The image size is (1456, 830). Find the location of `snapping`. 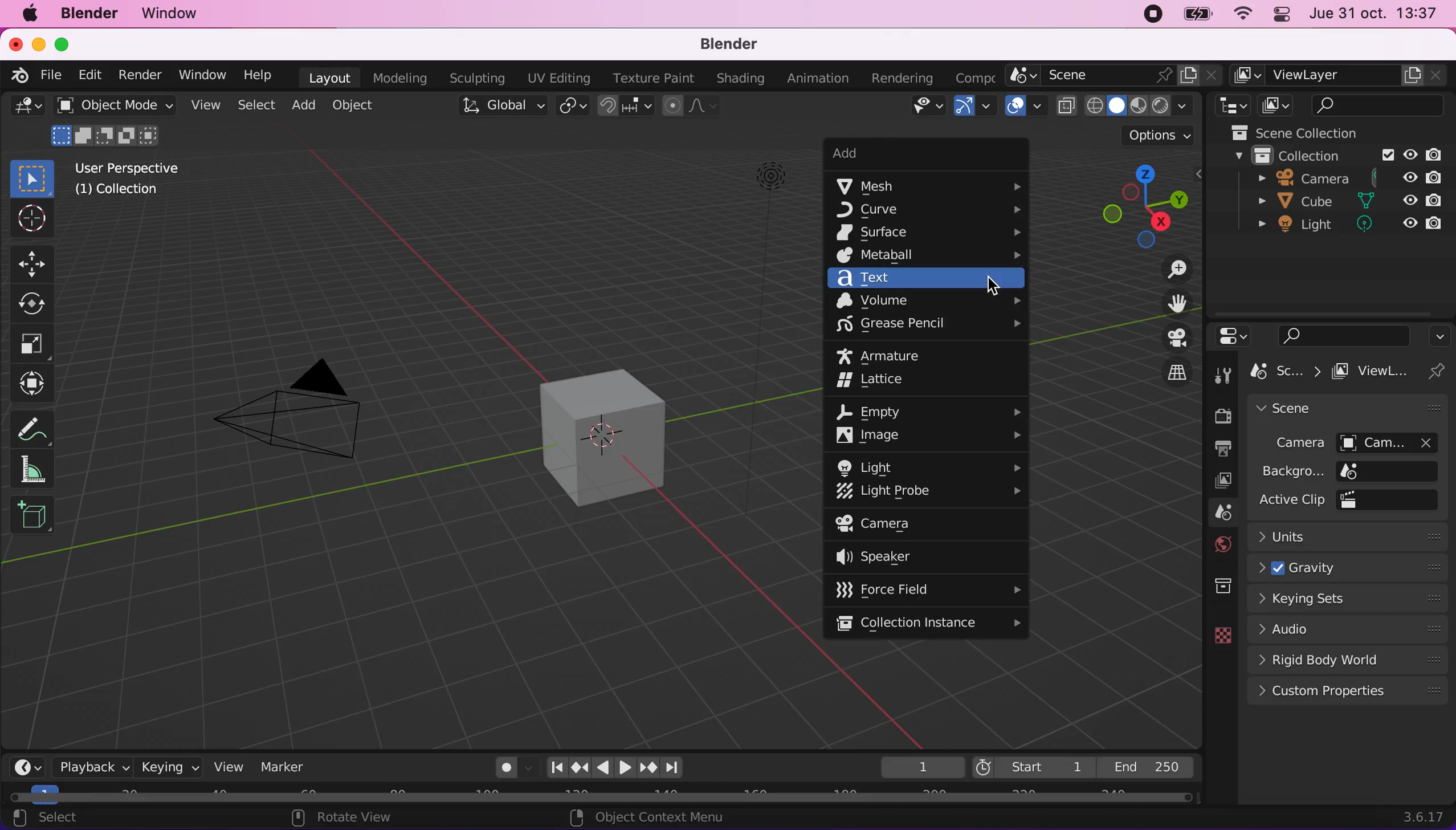

snapping is located at coordinates (626, 107).